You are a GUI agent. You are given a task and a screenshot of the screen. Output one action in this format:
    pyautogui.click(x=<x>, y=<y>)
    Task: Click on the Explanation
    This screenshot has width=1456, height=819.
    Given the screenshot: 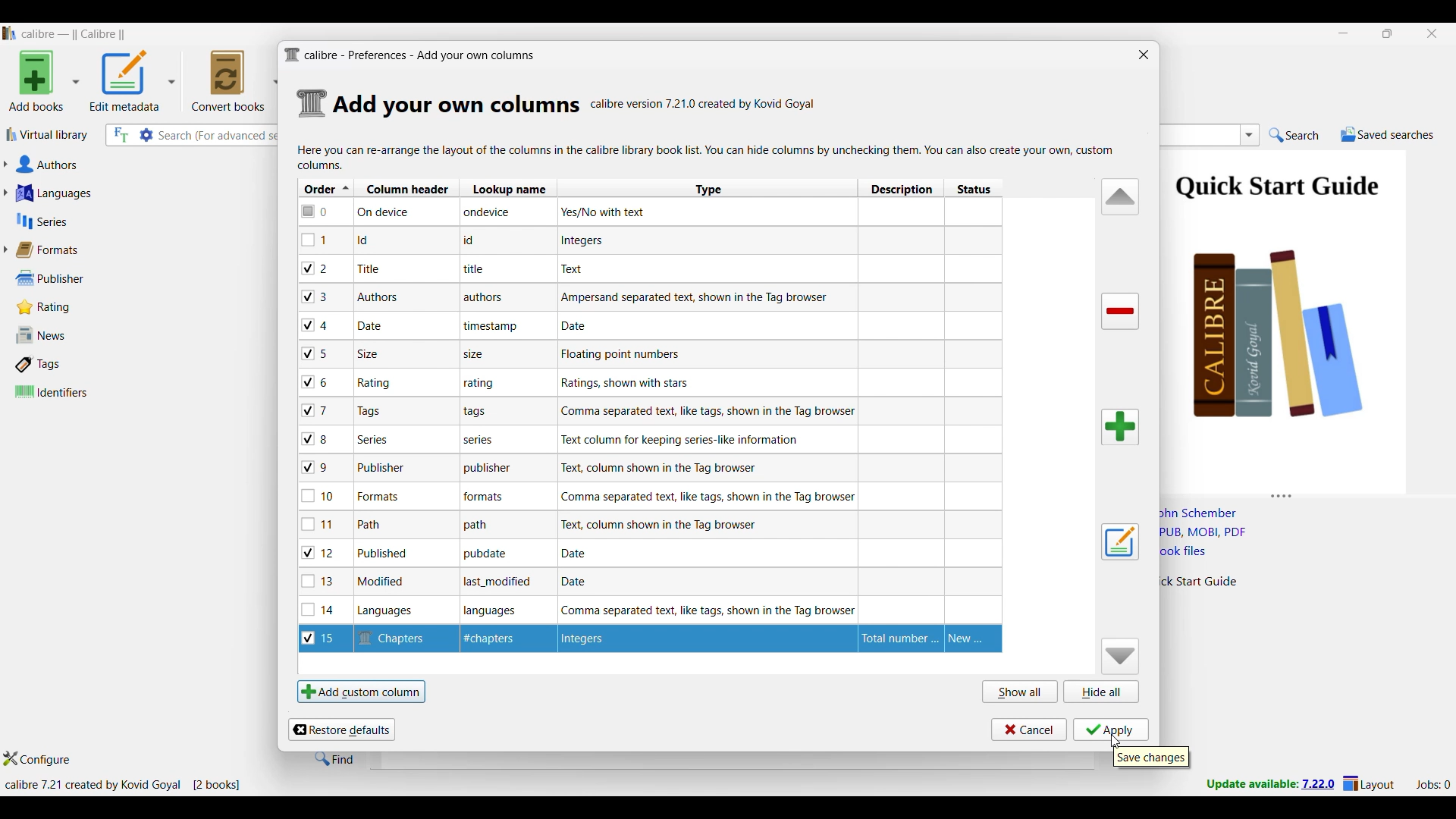 What is the action you would take?
    pyautogui.click(x=582, y=552)
    